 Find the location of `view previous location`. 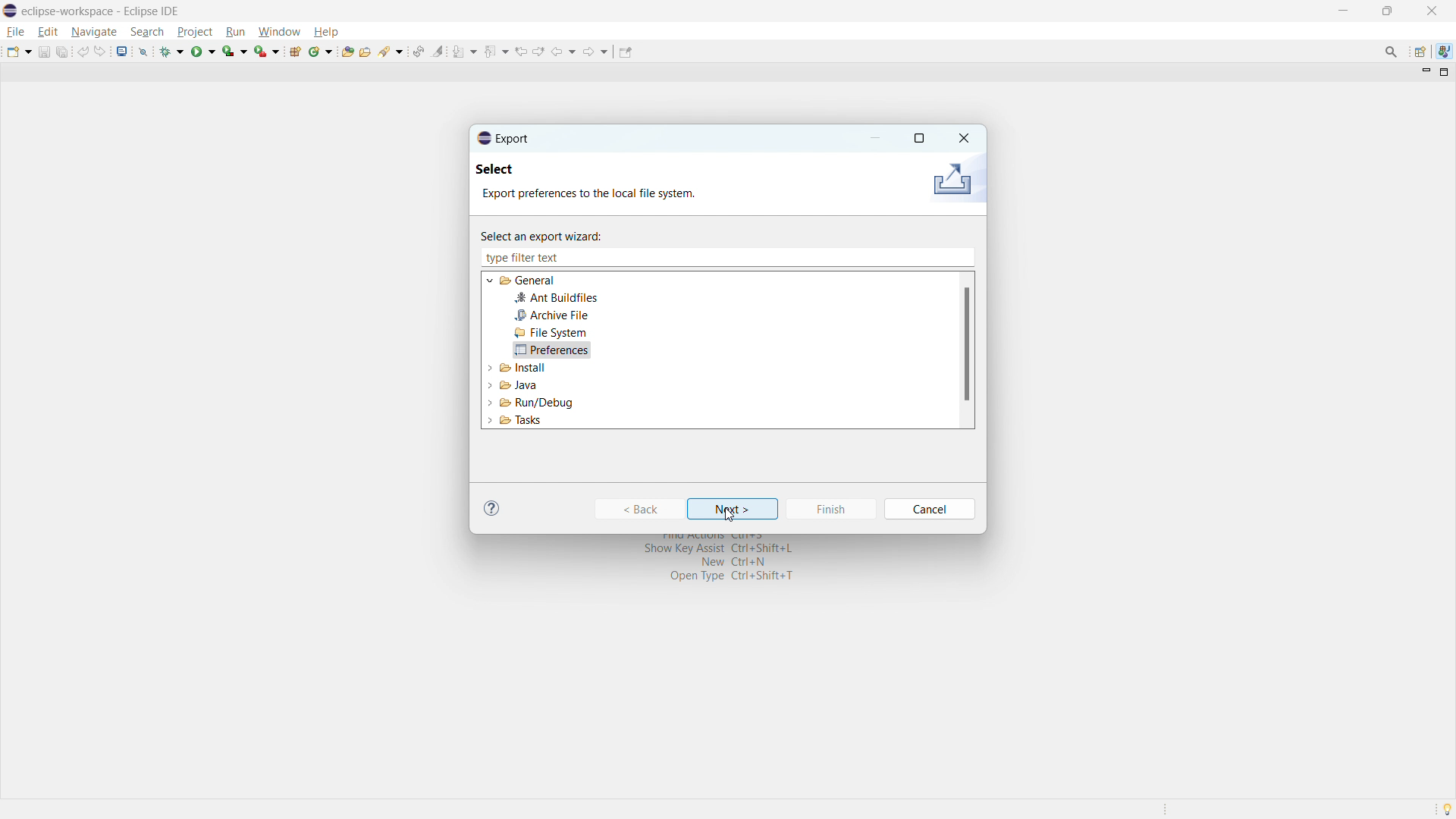

view previous location is located at coordinates (521, 52).